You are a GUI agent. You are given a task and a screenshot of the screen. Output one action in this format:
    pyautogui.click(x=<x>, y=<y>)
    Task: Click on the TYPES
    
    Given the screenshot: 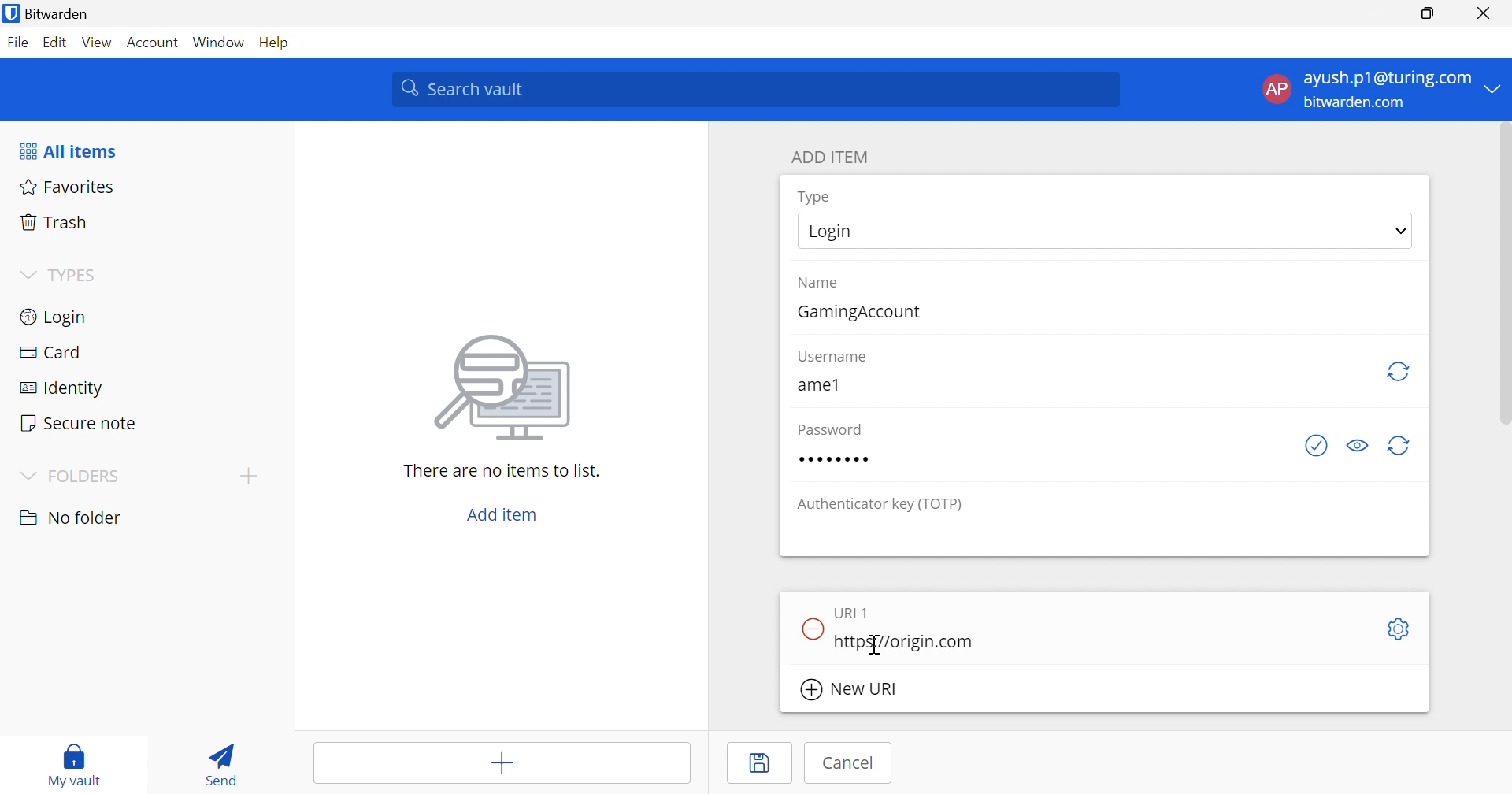 What is the action you would take?
    pyautogui.click(x=77, y=274)
    